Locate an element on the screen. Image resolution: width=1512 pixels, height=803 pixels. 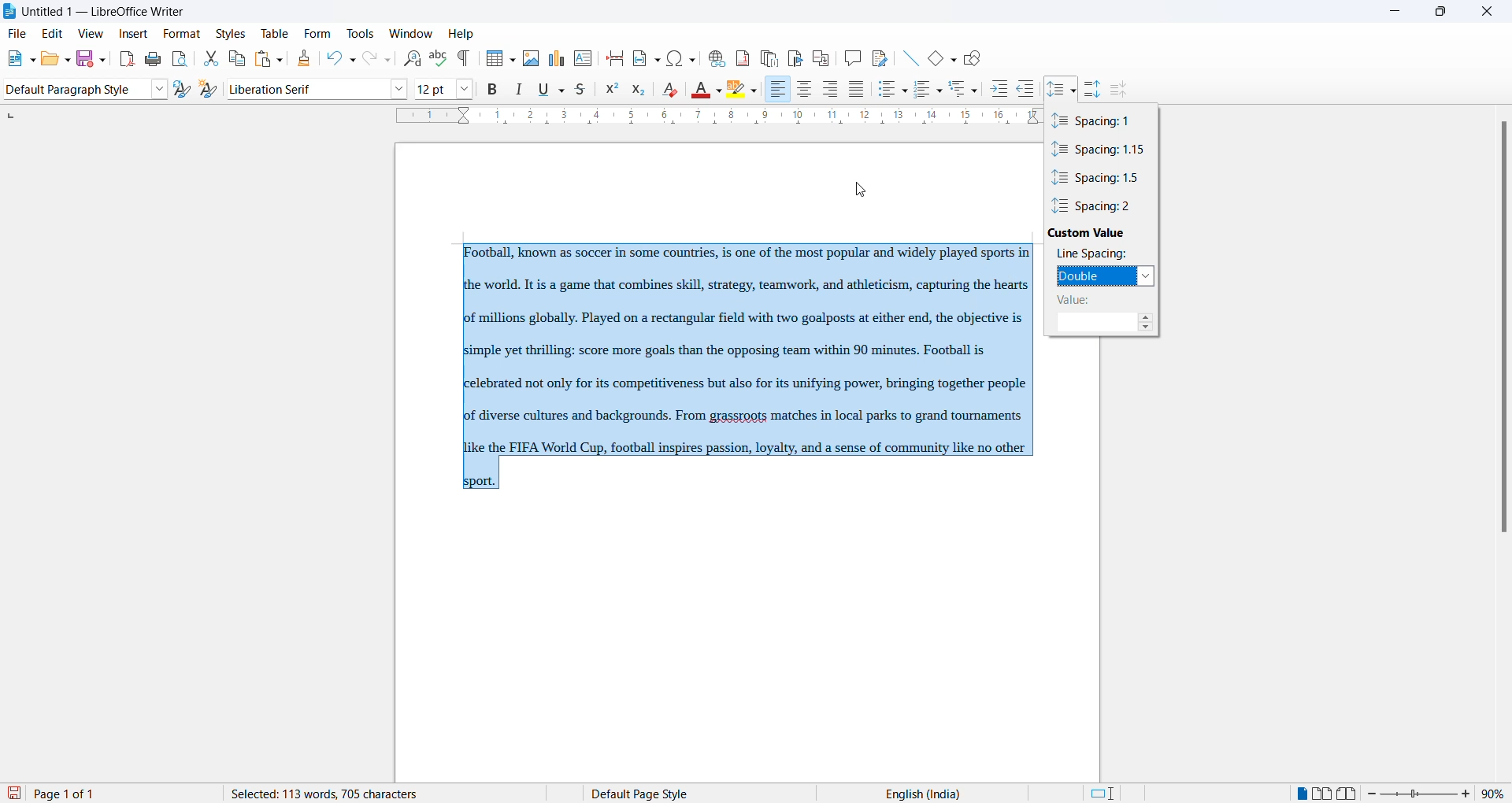
paste is located at coordinates (262, 59).